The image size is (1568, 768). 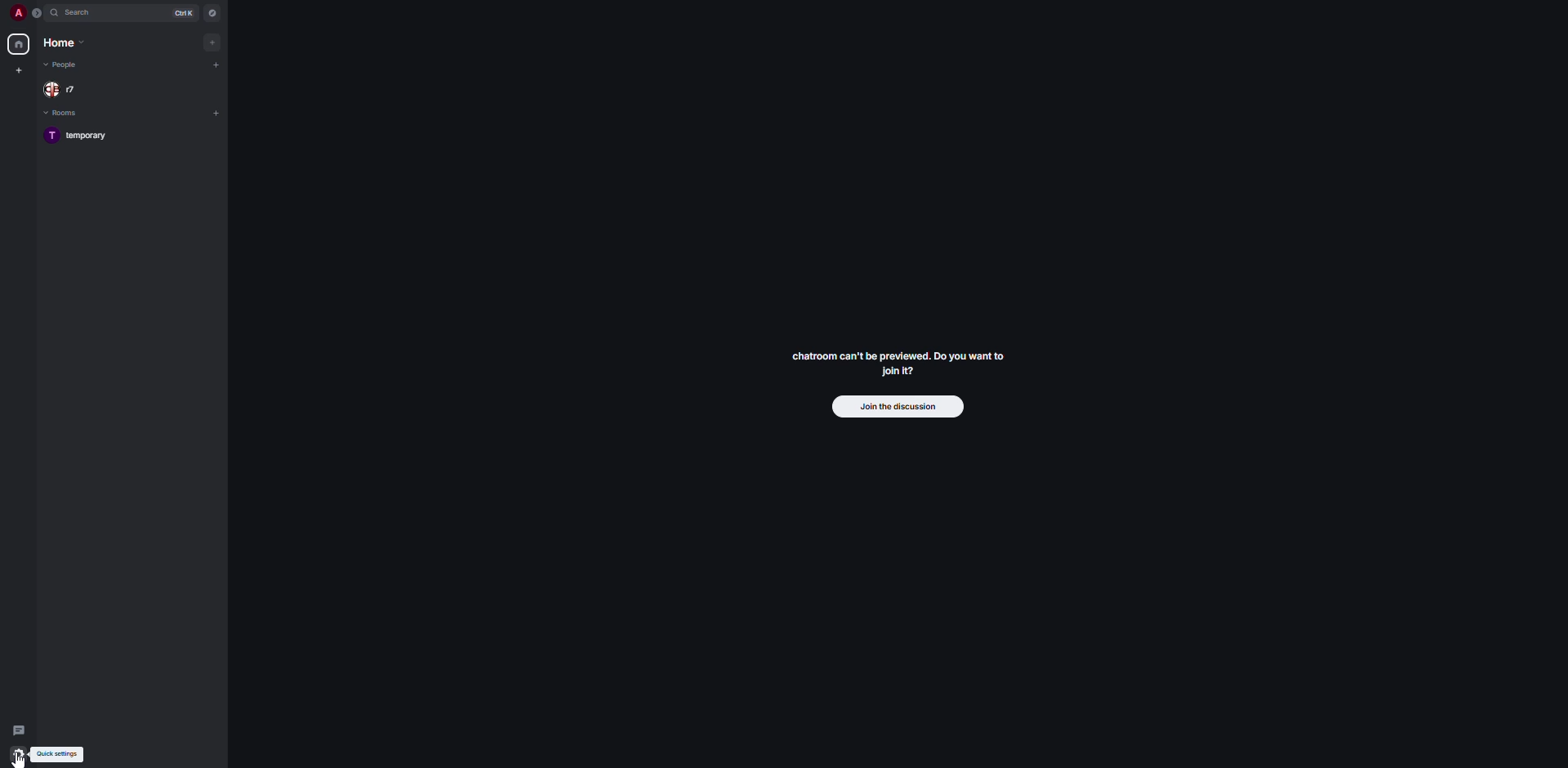 What do you see at coordinates (216, 64) in the screenshot?
I see `add` at bounding box center [216, 64].